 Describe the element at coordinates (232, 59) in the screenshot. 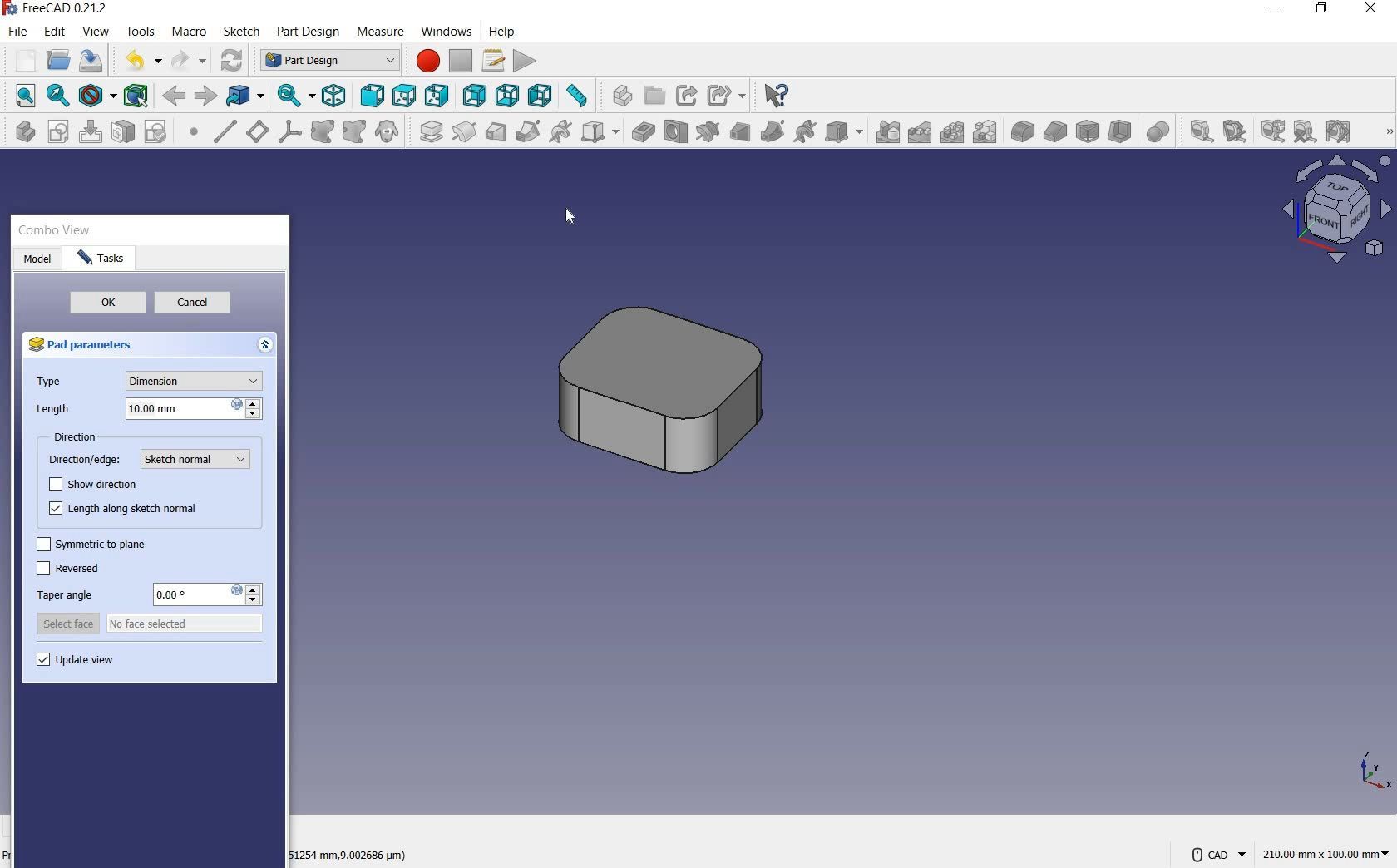

I see `refresh` at that location.